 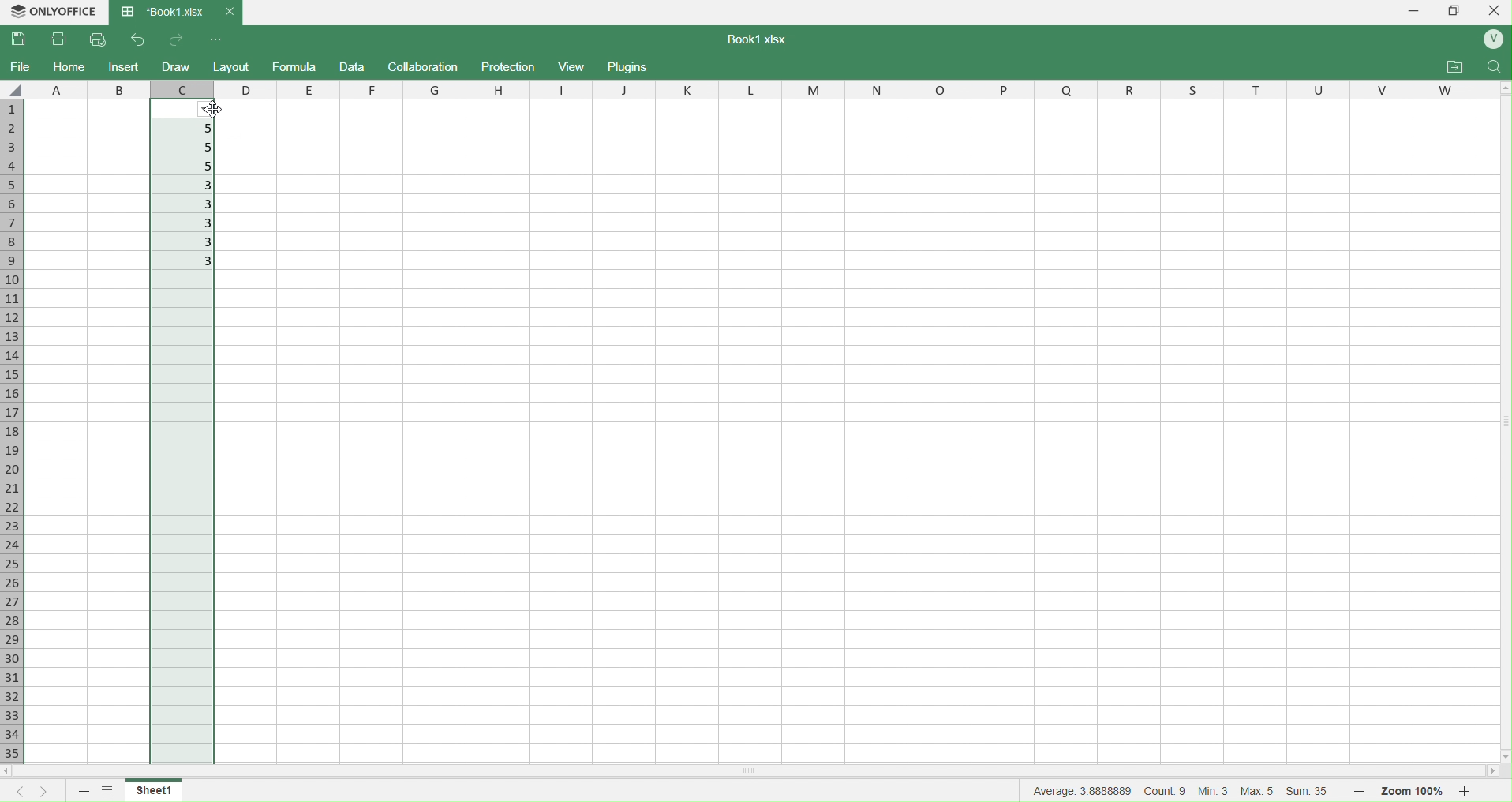 What do you see at coordinates (574, 66) in the screenshot?
I see `View` at bounding box center [574, 66].